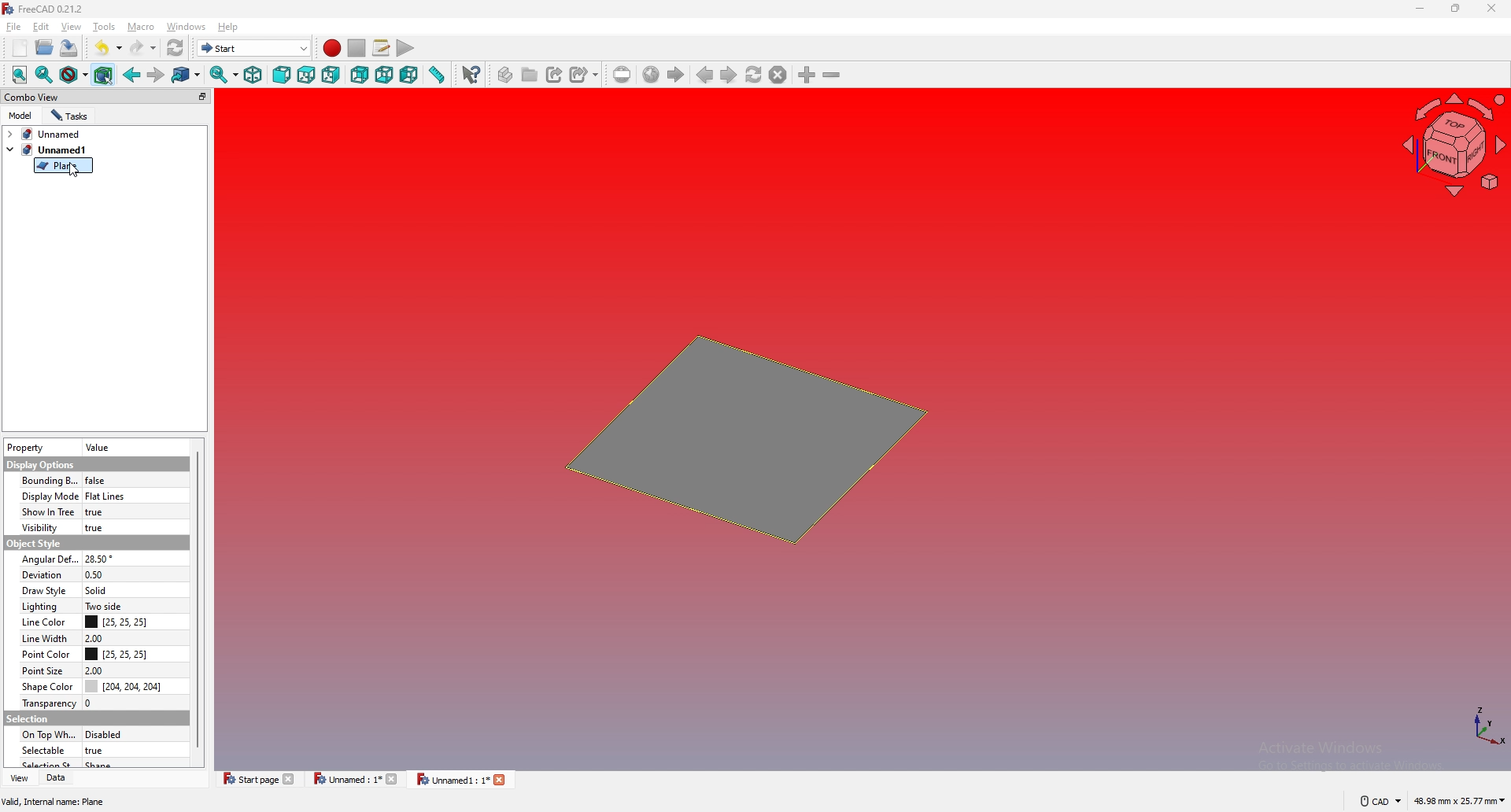  What do you see at coordinates (651, 76) in the screenshot?
I see `go to website` at bounding box center [651, 76].